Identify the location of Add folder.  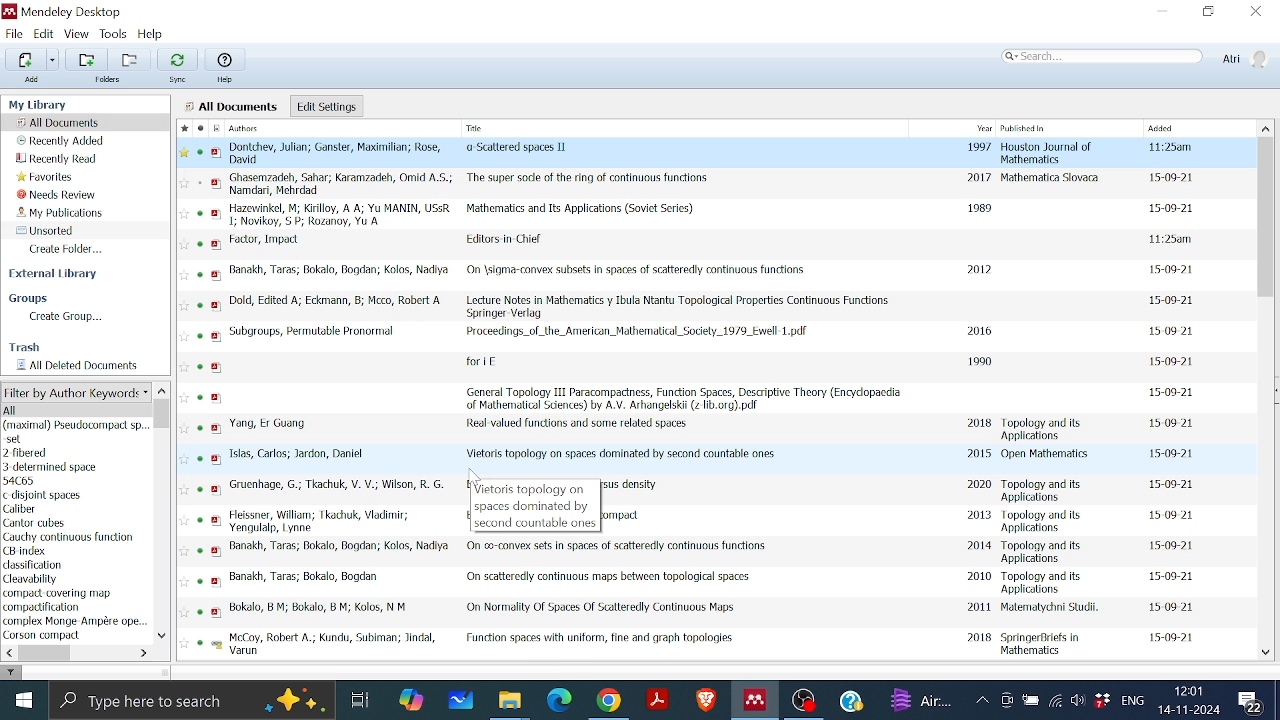
(88, 61).